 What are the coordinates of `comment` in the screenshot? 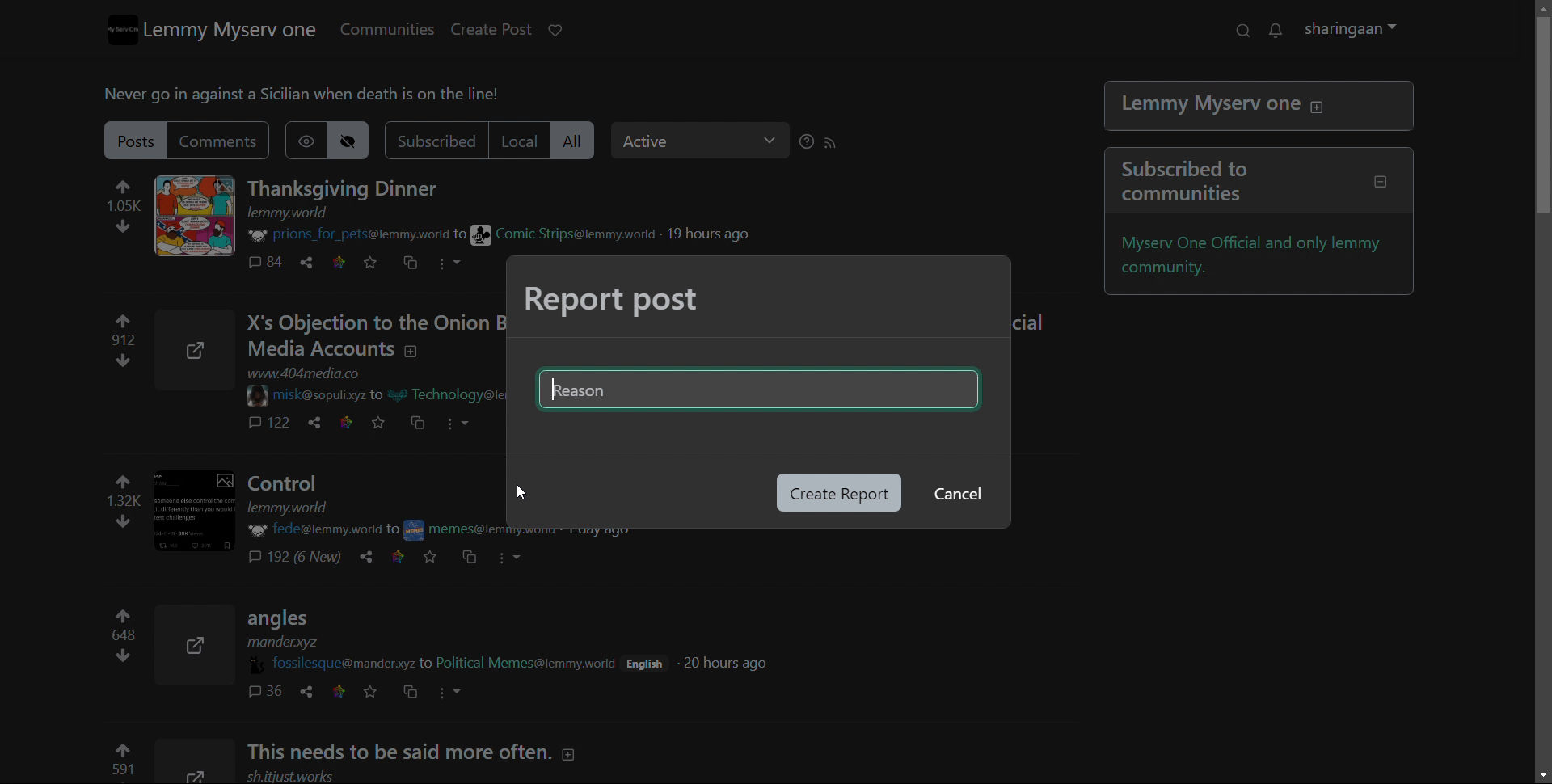 It's located at (272, 263).